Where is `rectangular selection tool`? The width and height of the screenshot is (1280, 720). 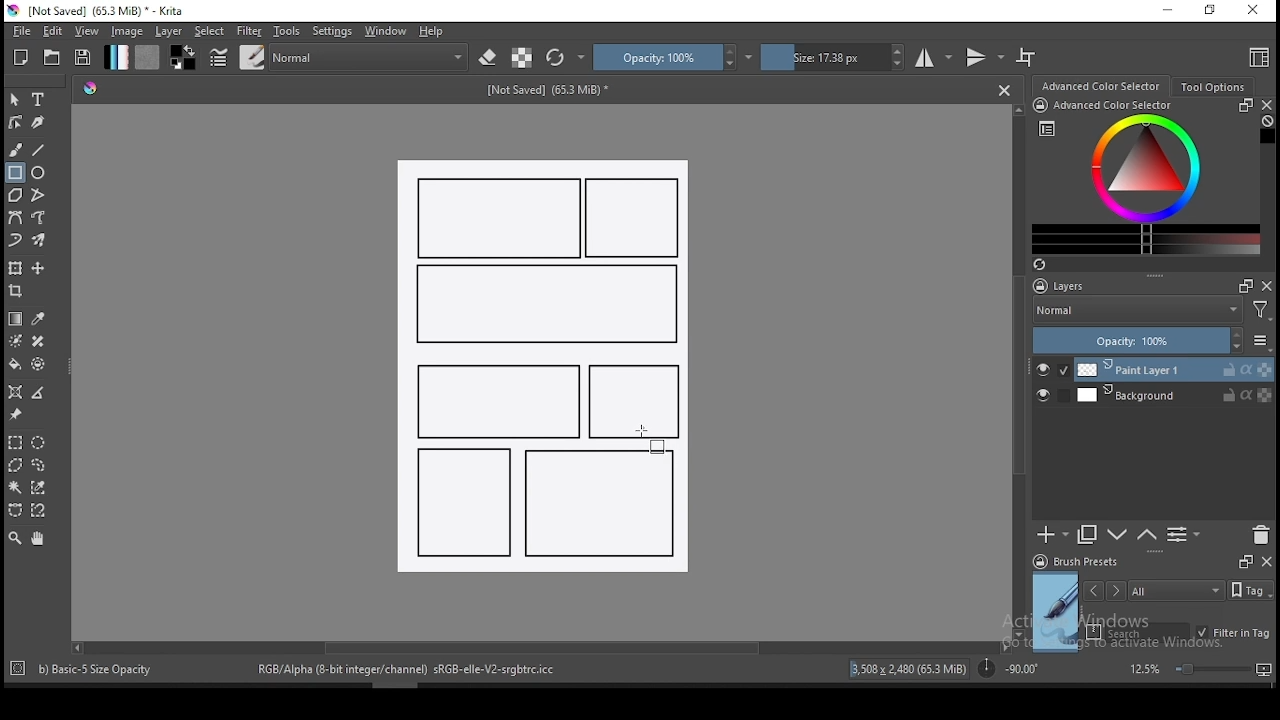 rectangular selection tool is located at coordinates (14, 442).